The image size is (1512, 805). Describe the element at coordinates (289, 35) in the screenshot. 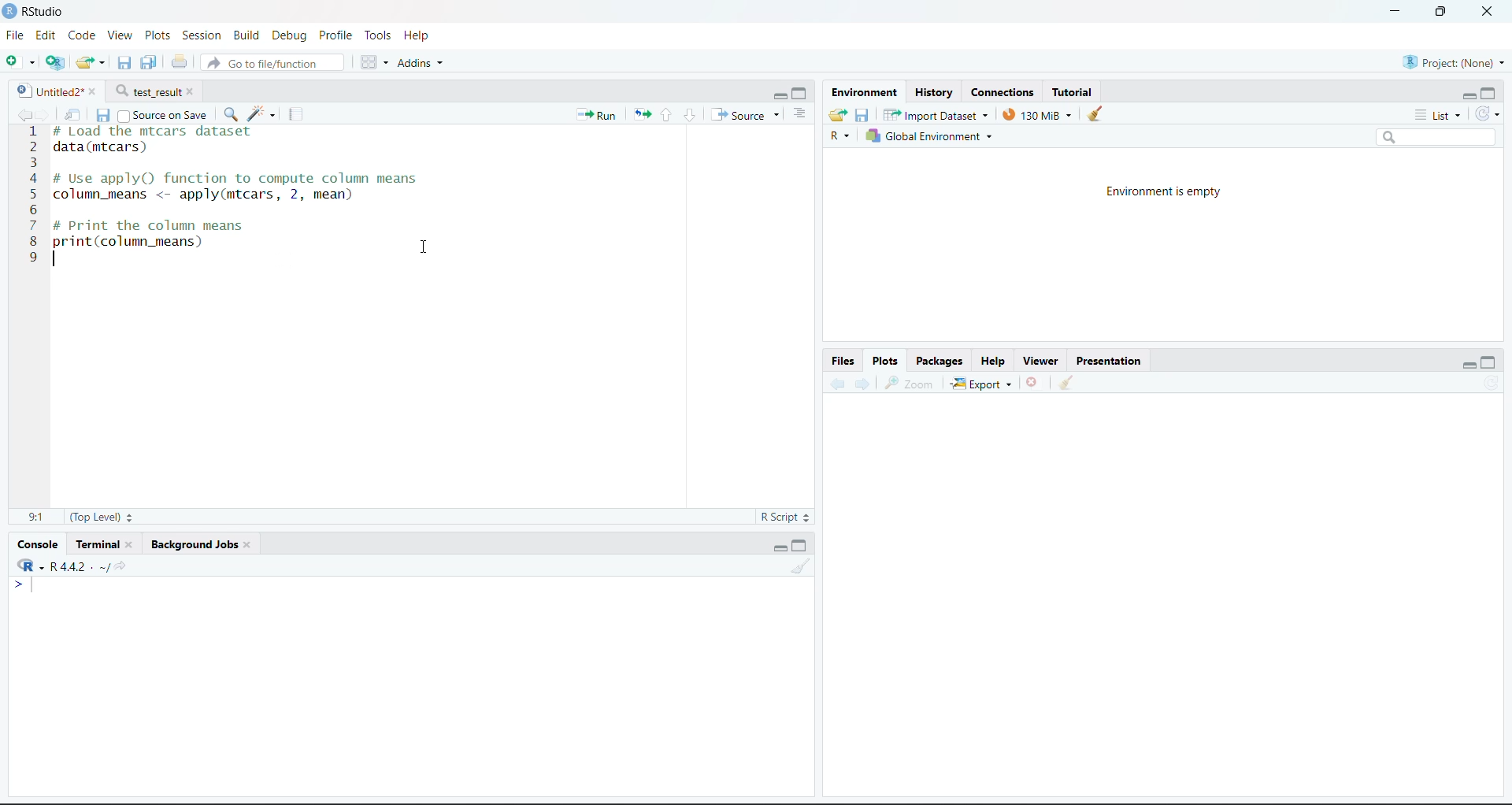

I see `Debug` at that location.